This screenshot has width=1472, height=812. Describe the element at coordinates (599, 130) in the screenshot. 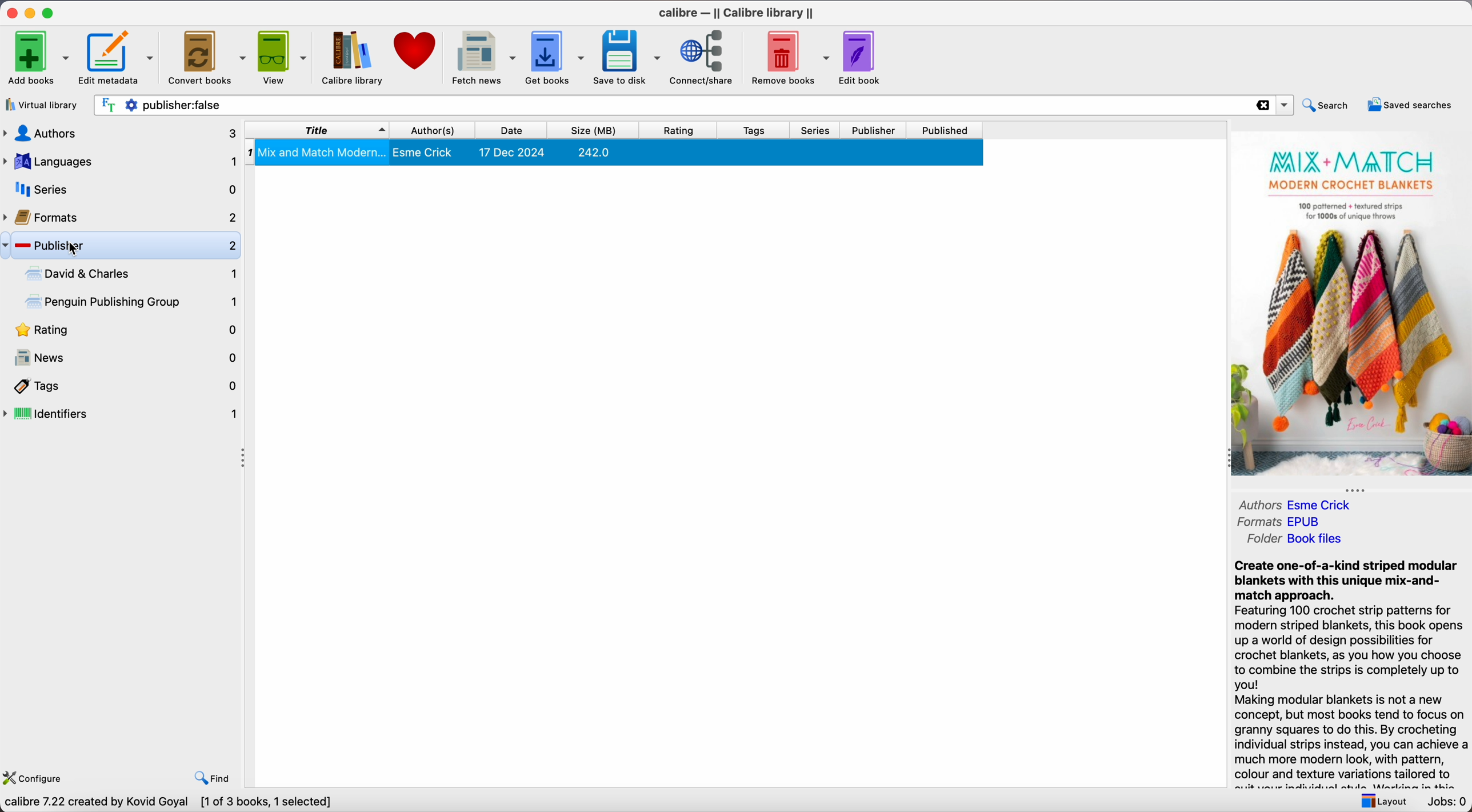

I see `size` at that location.